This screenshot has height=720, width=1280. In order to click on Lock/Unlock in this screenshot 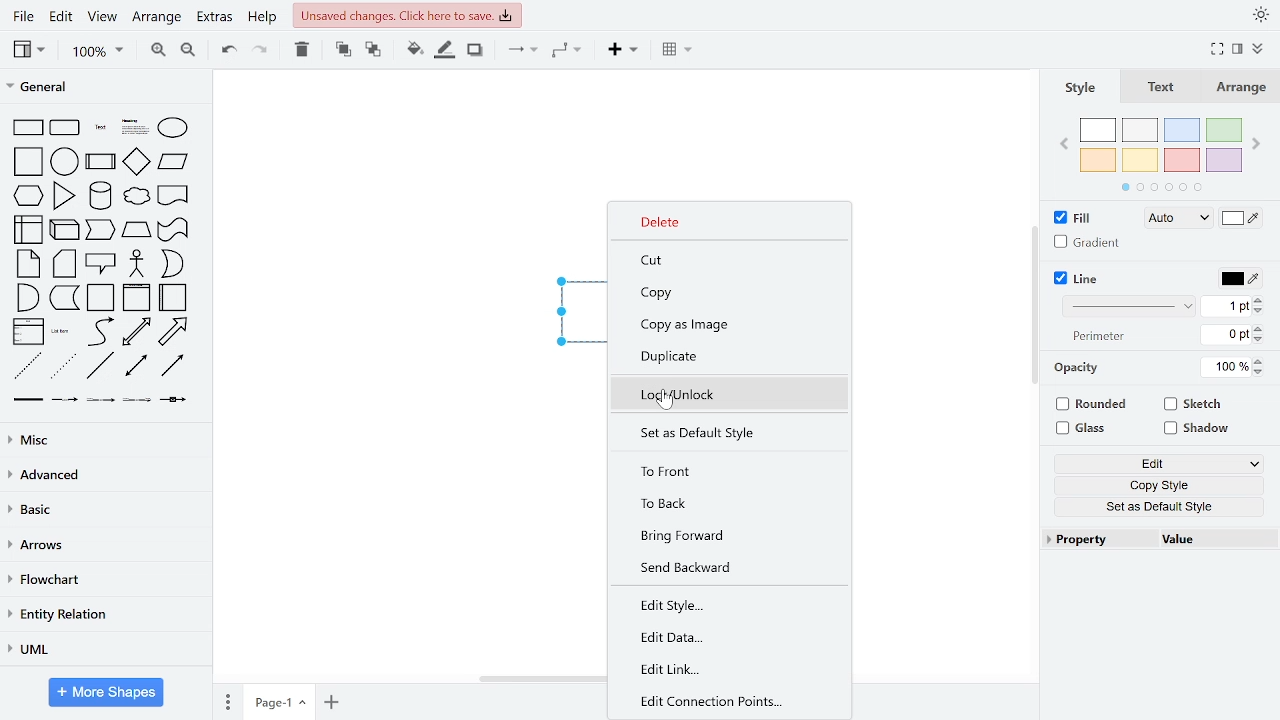, I will do `click(723, 394)`.